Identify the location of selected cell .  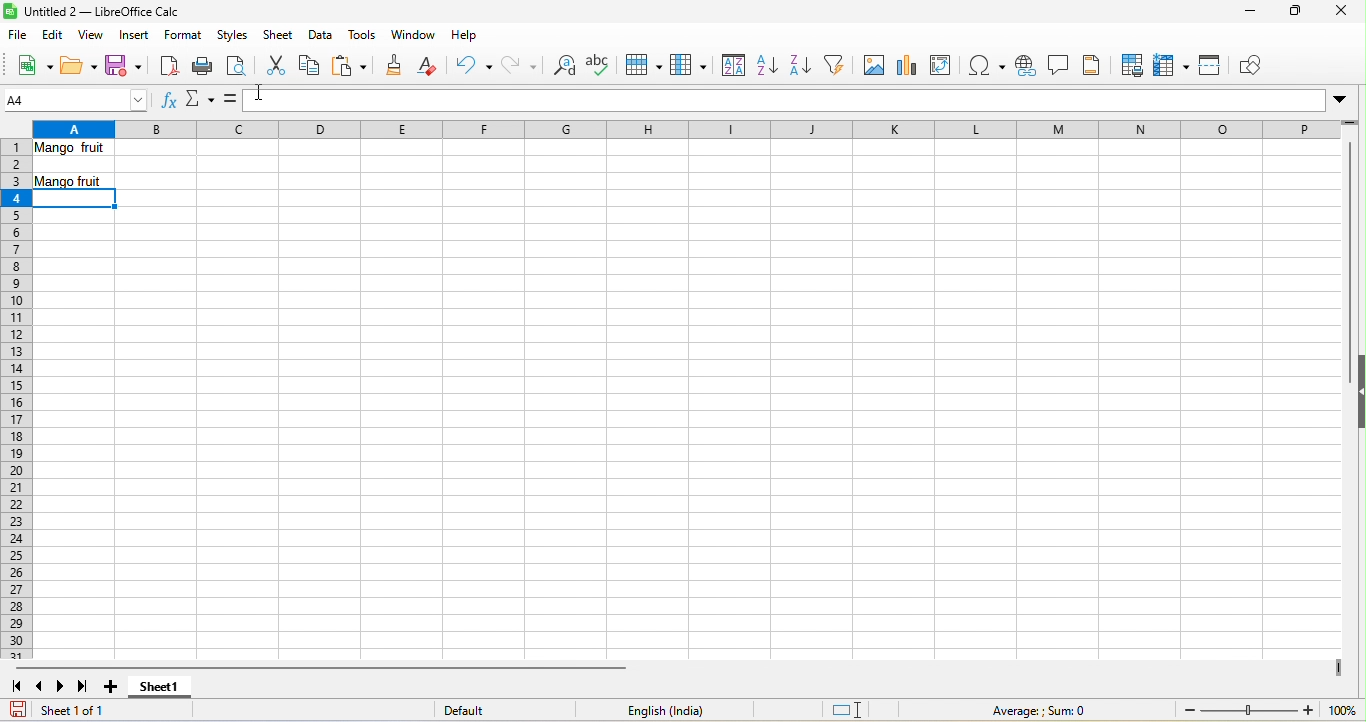
(75, 199).